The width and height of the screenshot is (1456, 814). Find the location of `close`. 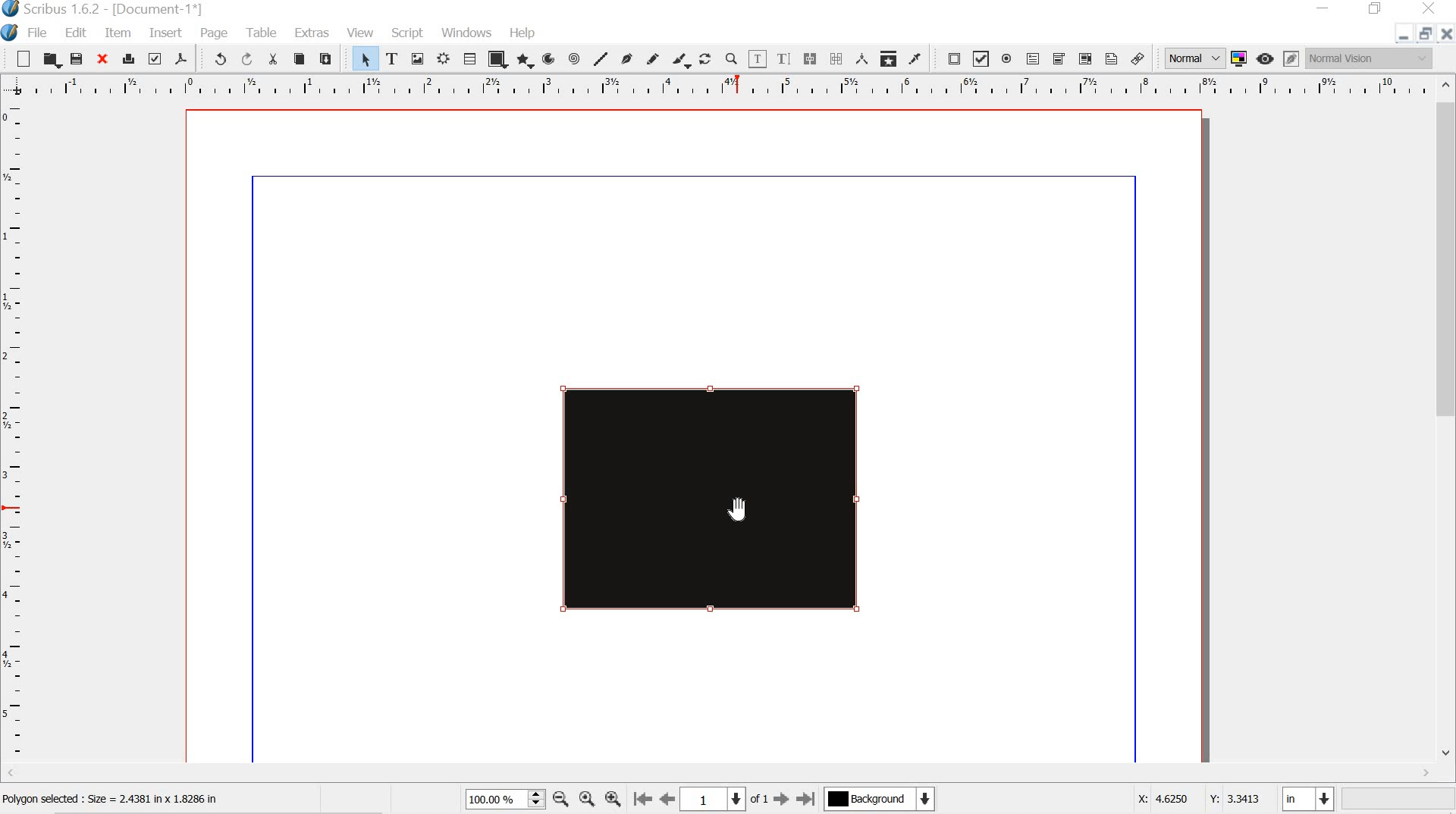

close is located at coordinates (1429, 9).